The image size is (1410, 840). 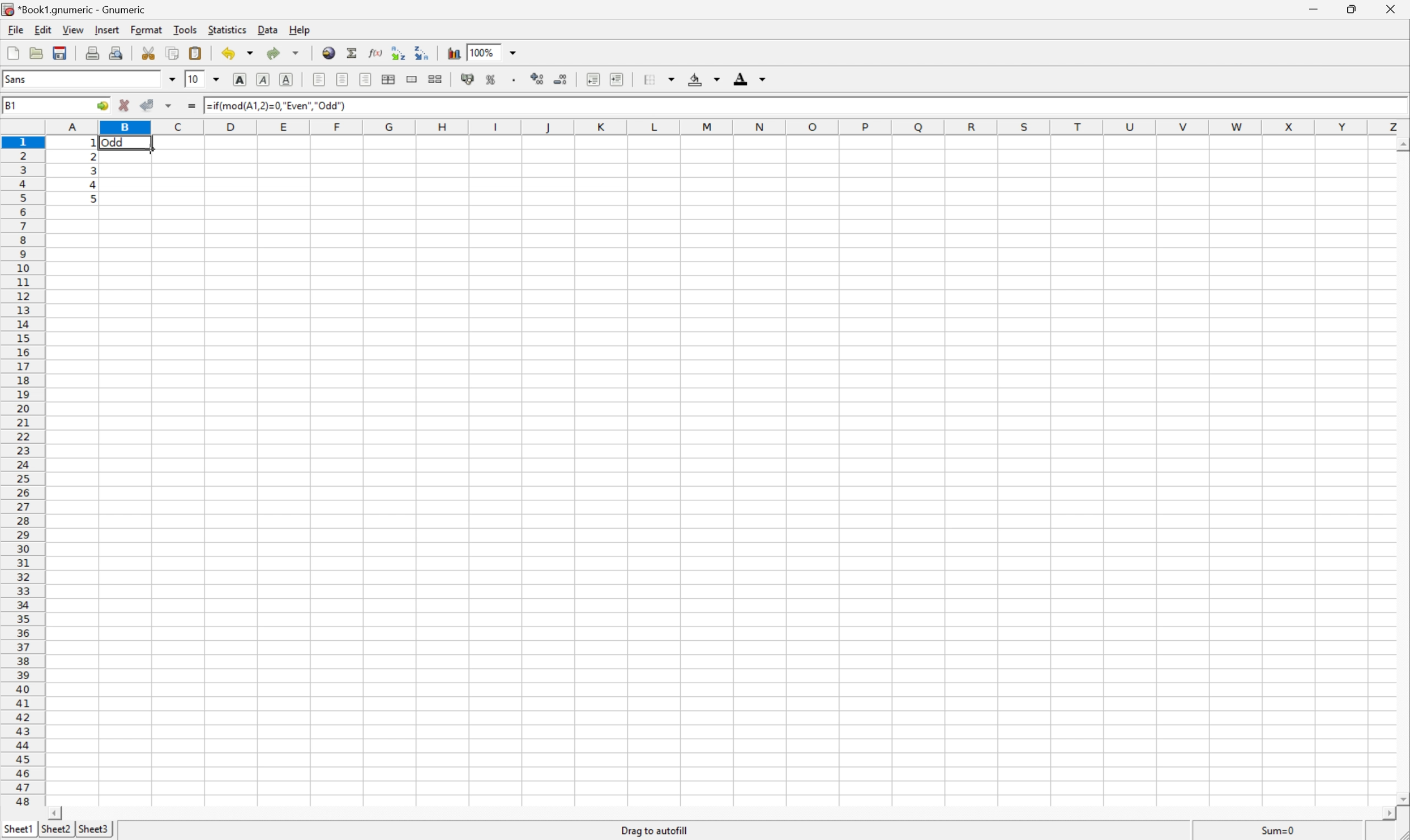 What do you see at coordinates (366, 79) in the screenshot?
I see `Align Right` at bounding box center [366, 79].